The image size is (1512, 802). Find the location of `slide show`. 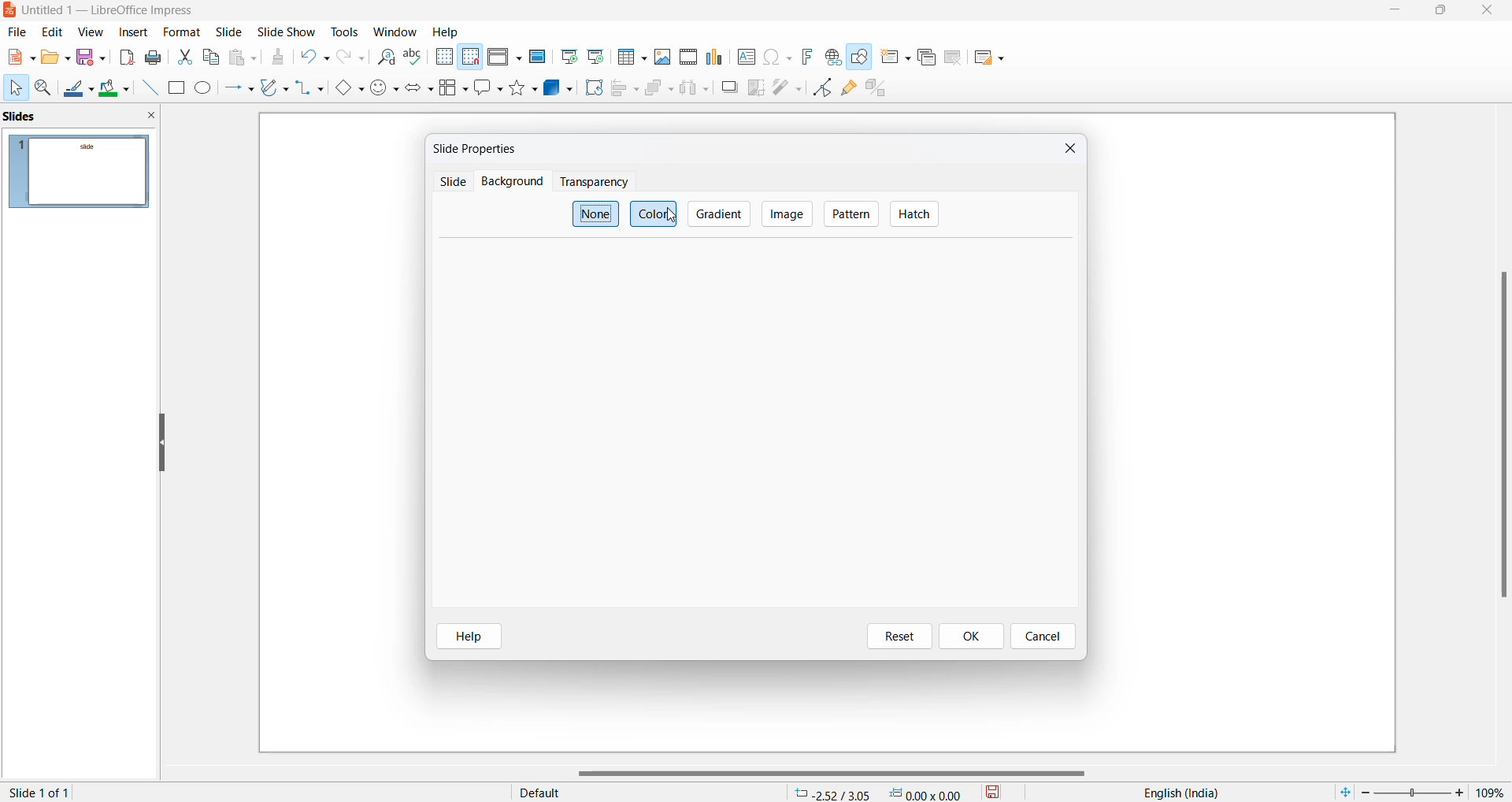

slide show is located at coordinates (287, 33).